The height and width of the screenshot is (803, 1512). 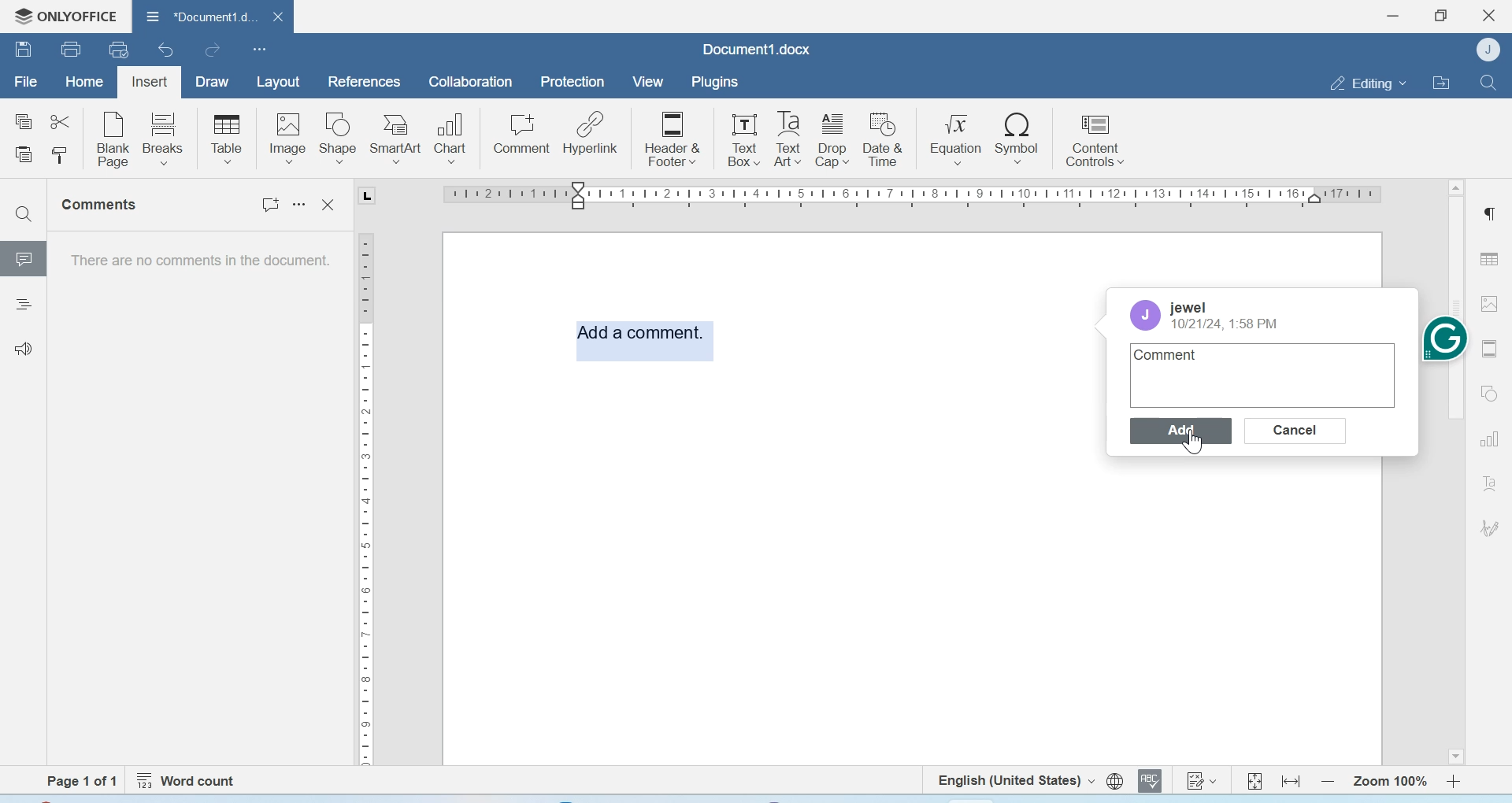 I want to click on Text Box, so click(x=785, y=139).